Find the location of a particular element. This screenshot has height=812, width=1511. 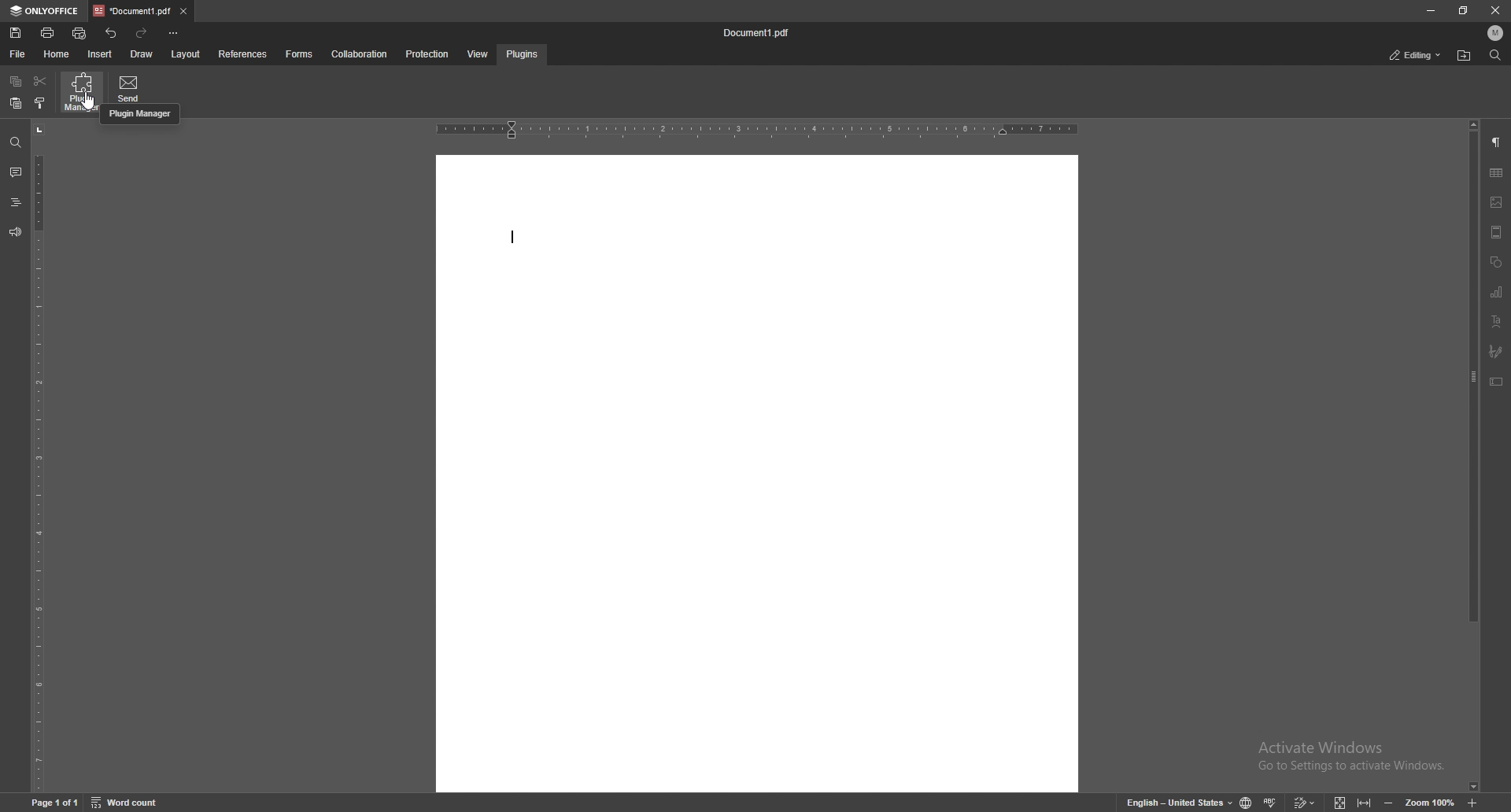

vertical scale is located at coordinates (39, 457).